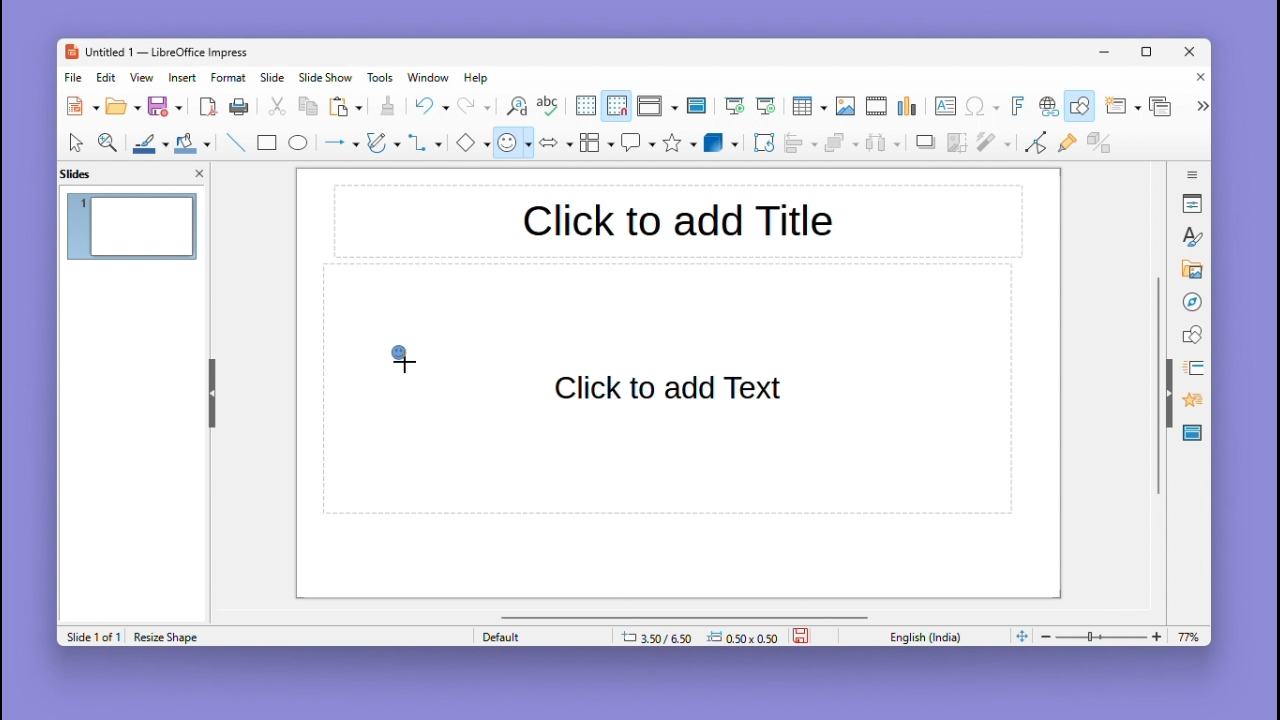 This screenshot has height=720, width=1280. What do you see at coordinates (173, 634) in the screenshot?
I see `Resize Shape` at bounding box center [173, 634].